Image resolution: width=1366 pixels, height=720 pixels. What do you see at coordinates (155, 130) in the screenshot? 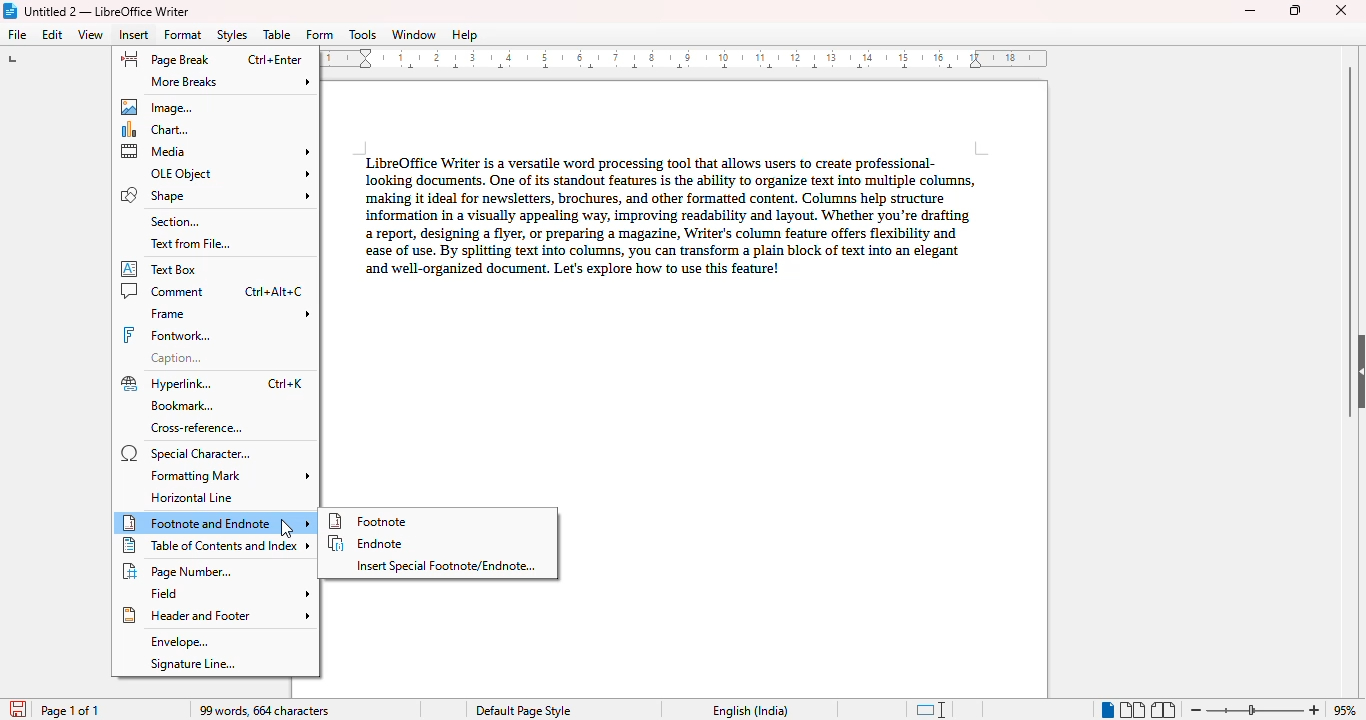
I see `chart` at bounding box center [155, 130].